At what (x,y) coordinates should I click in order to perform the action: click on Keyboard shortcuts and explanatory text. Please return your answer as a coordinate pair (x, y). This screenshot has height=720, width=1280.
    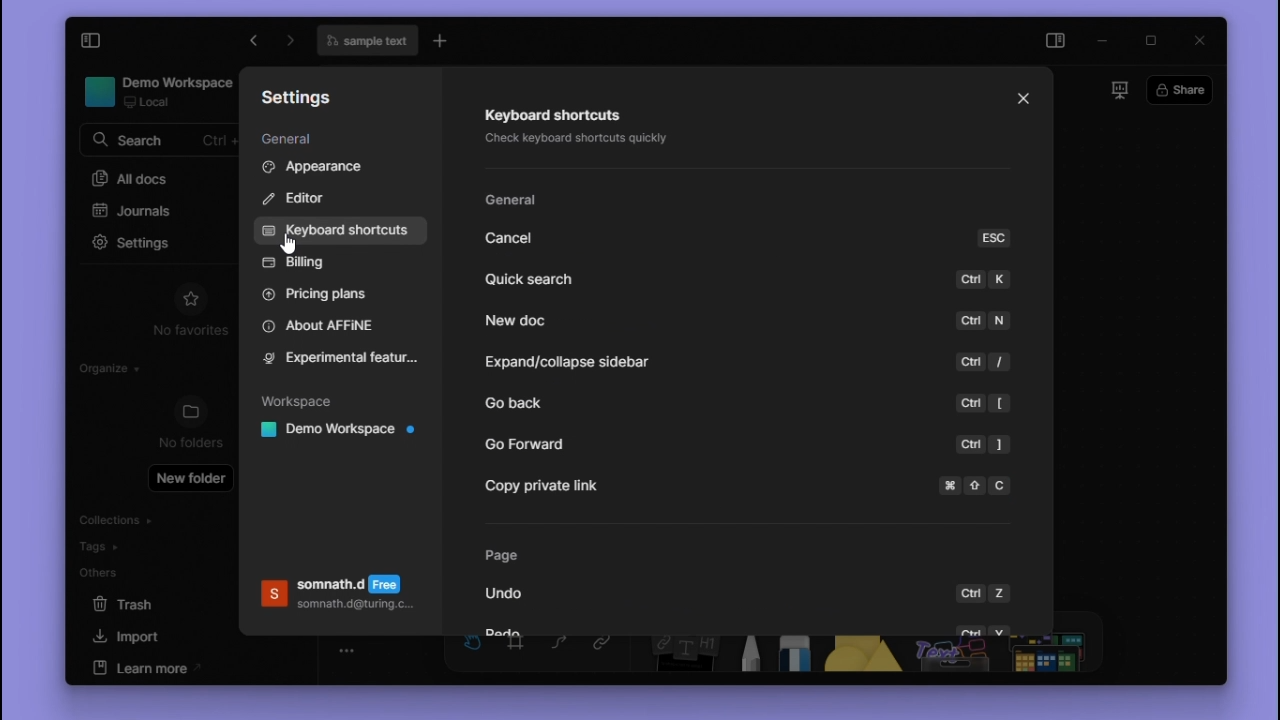
    Looking at the image, I should click on (576, 130).